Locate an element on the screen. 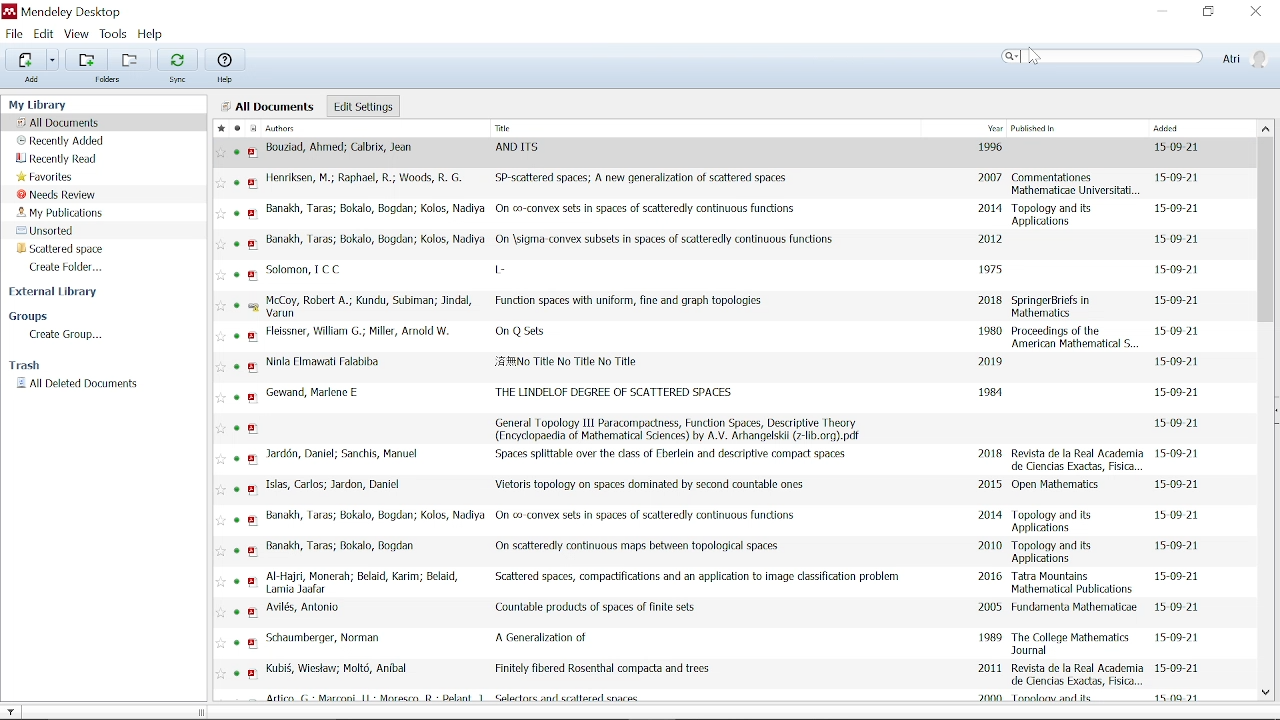  Create folder is located at coordinates (77, 267).